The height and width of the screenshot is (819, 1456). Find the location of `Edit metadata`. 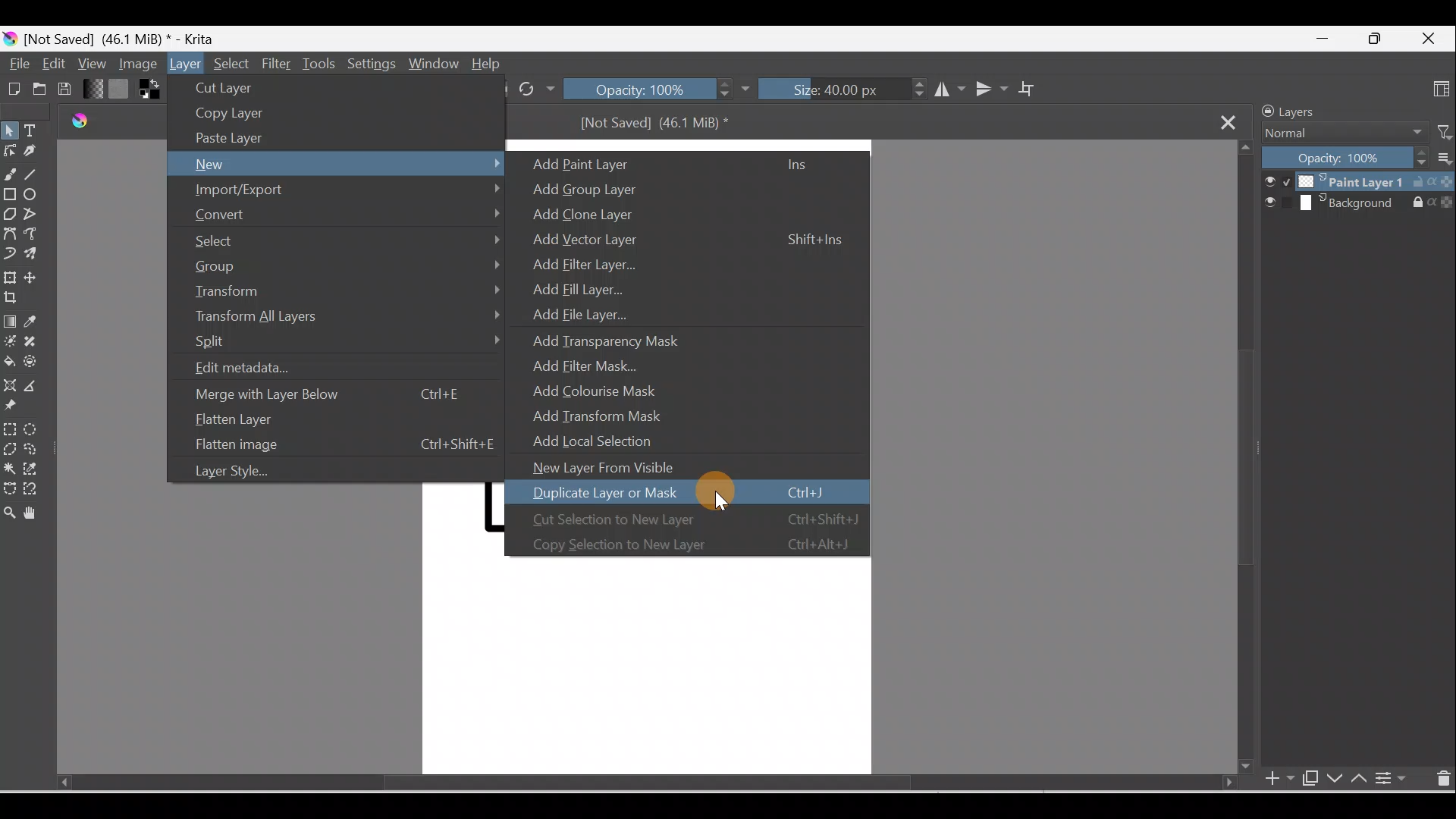

Edit metadata is located at coordinates (274, 369).